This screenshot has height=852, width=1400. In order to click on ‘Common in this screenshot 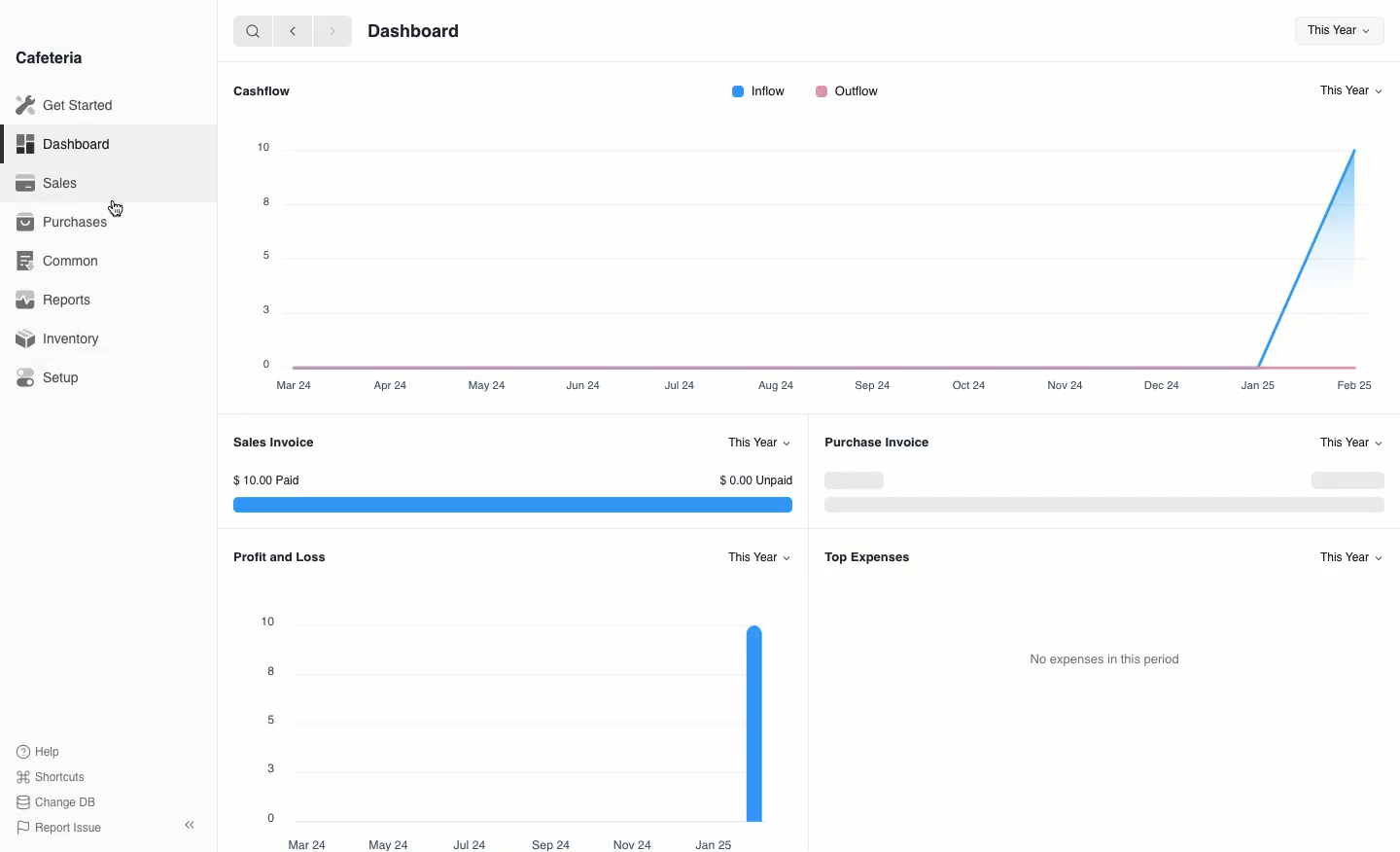, I will do `click(59, 264)`.